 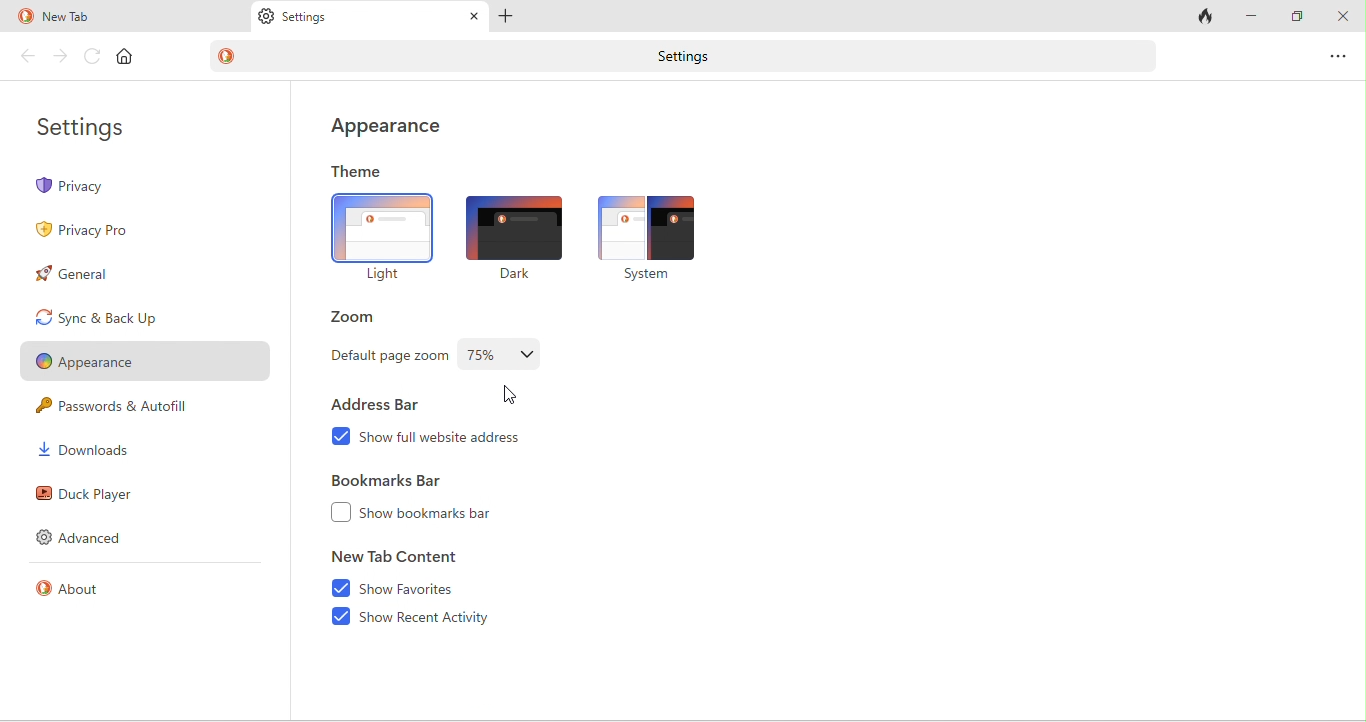 I want to click on forward, so click(x=62, y=56).